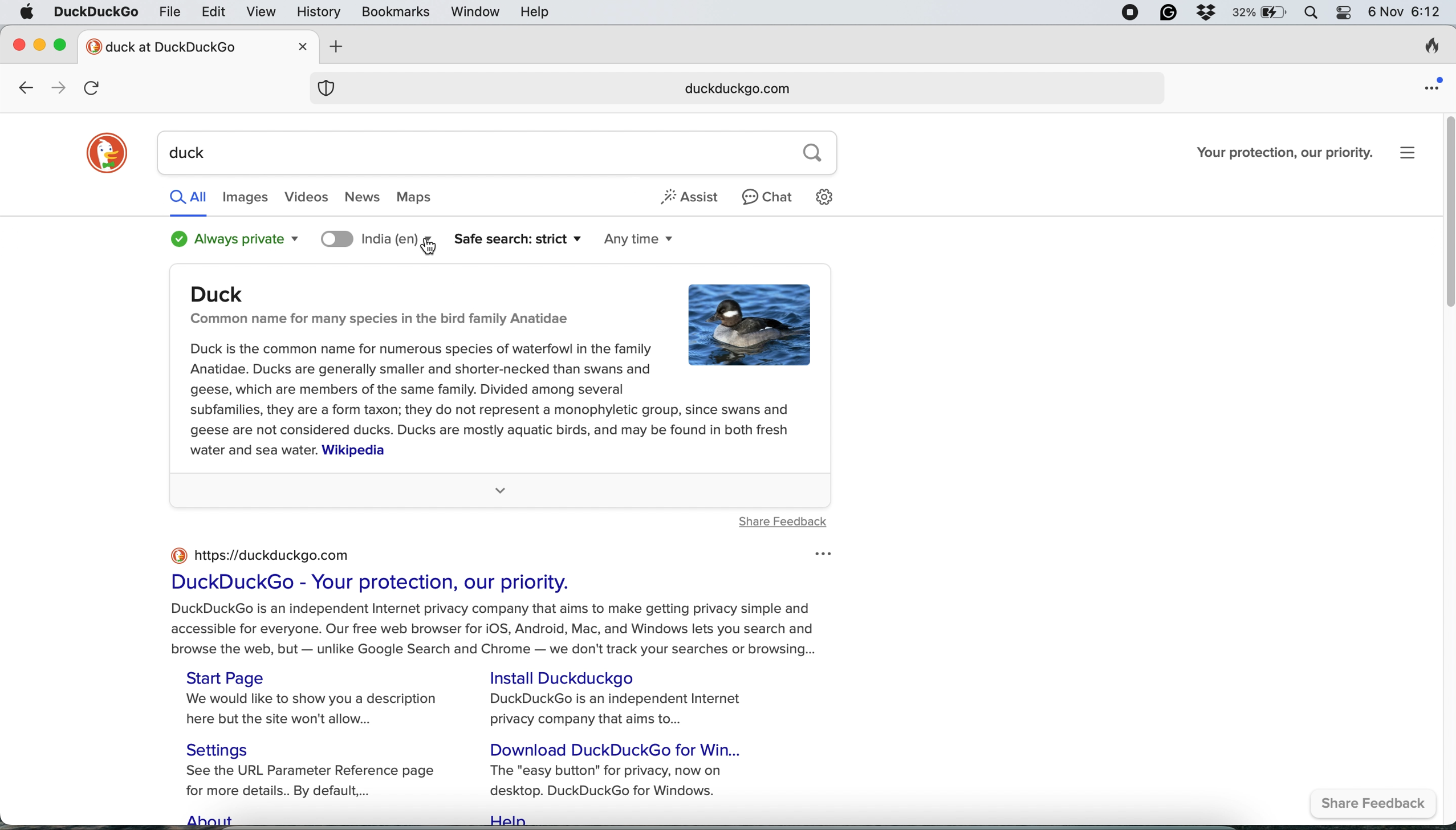 This screenshot has width=1456, height=830. Describe the element at coordinates (230, 677) in the screenshot. I see `Start Page` at that location.